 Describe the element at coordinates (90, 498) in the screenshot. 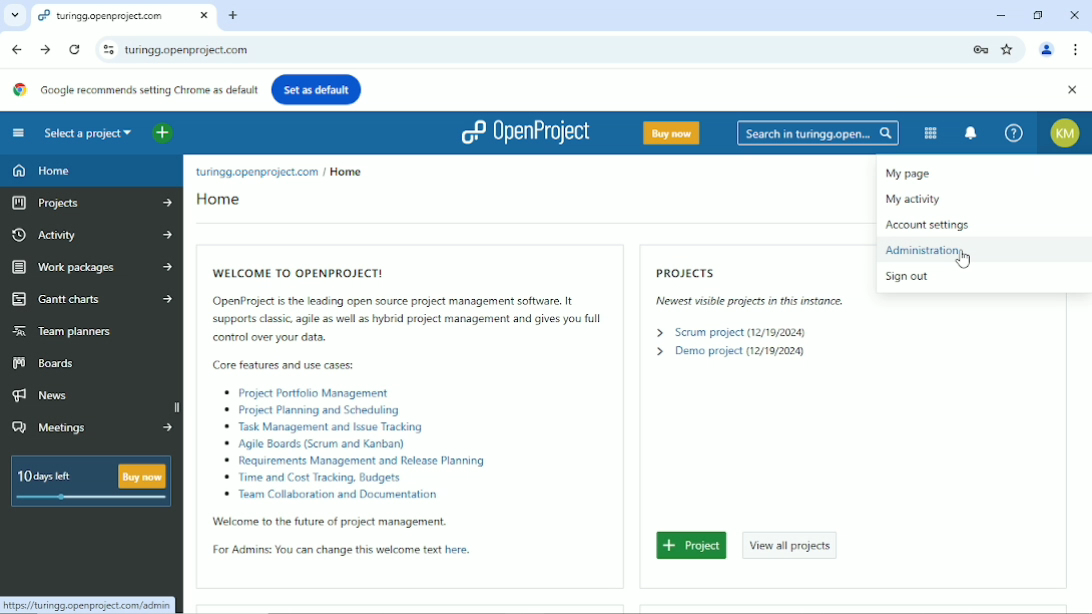

I see `slide bar displaying number of days left` at that location.